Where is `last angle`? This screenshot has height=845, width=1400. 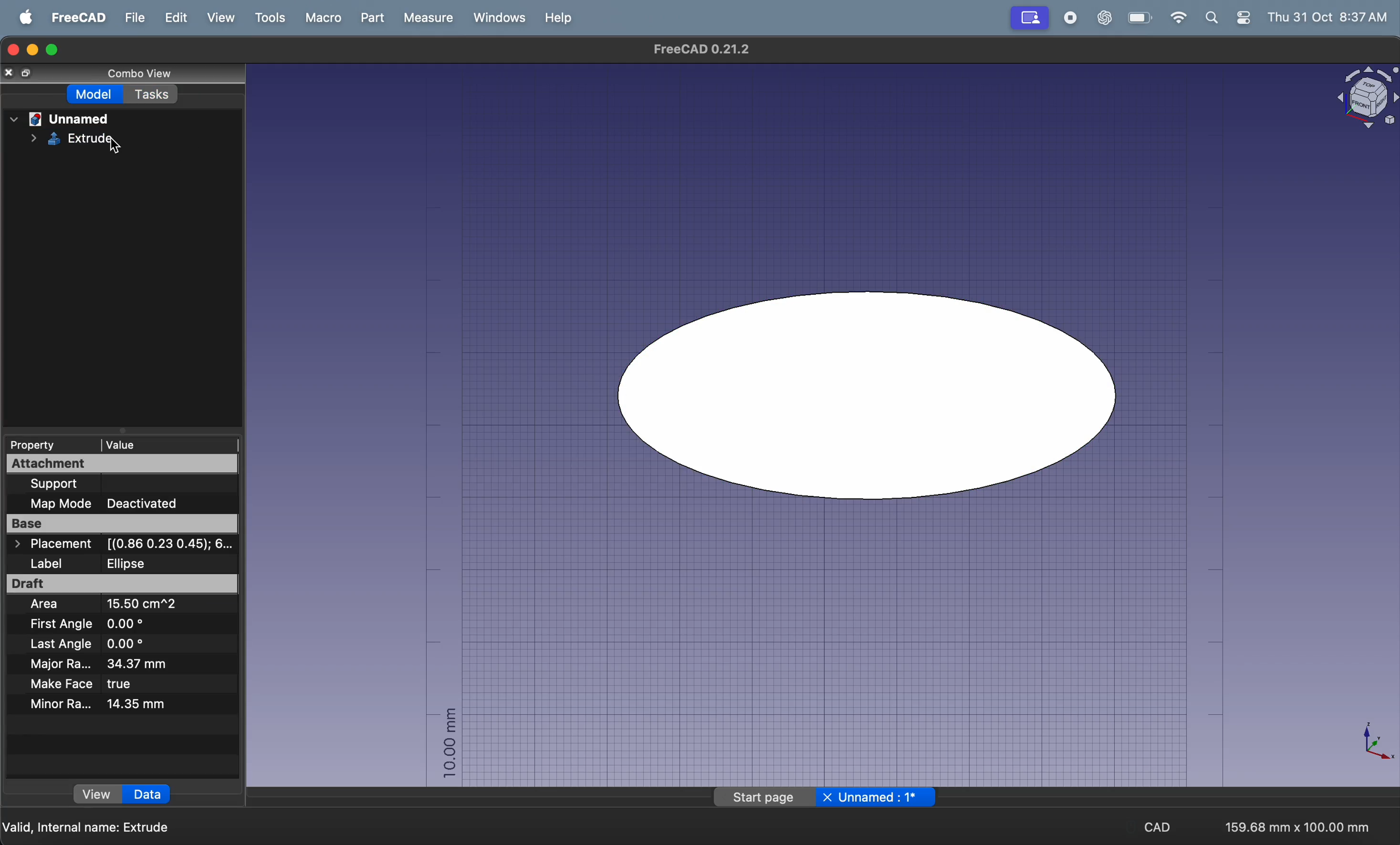 last angle is located at coordinates (84, 645).